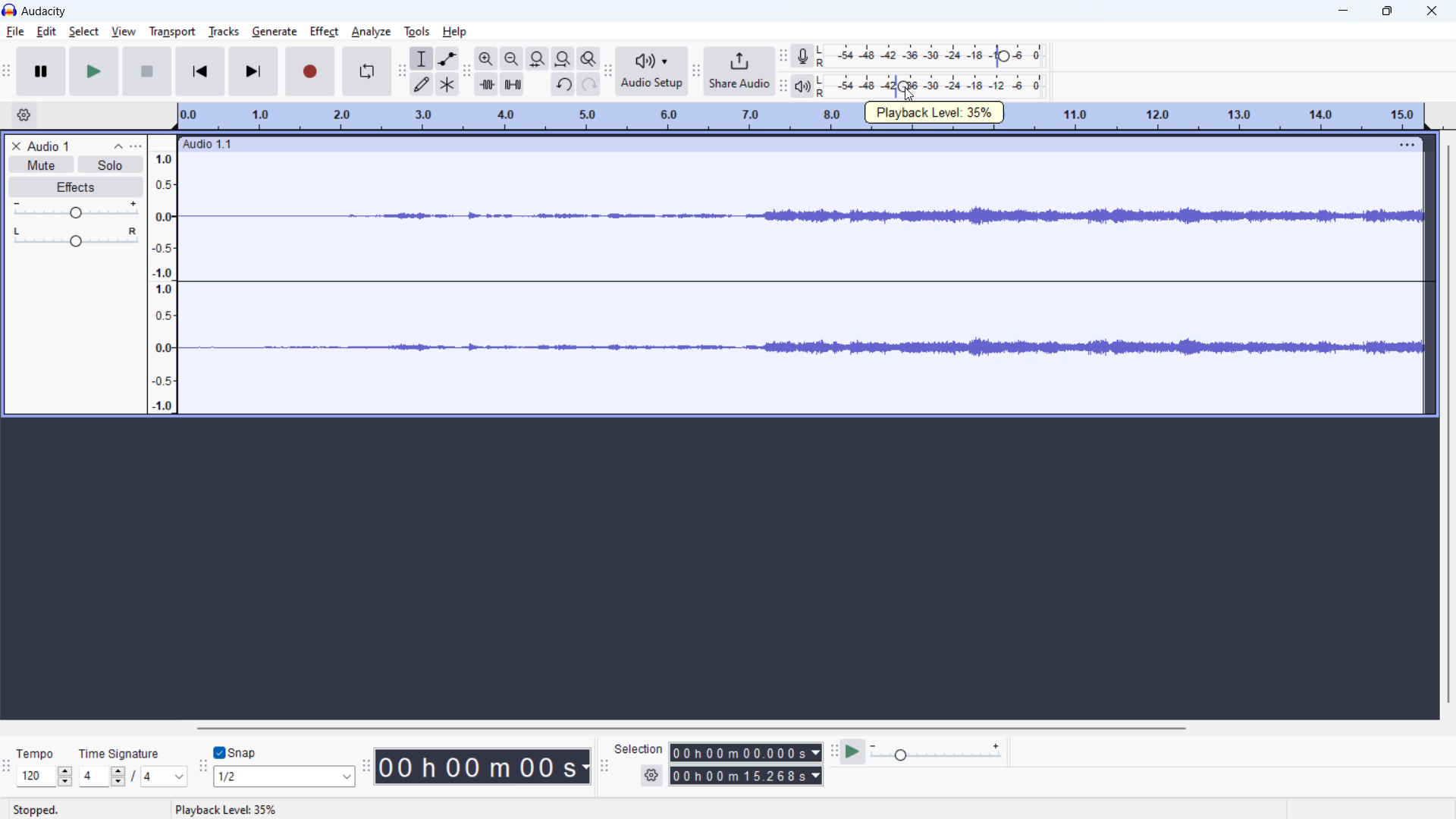 This screenshot has width=1456, height=819. Describe the element at coordinates (75, 237) in the screenshot. I see `pan: center` at that location.